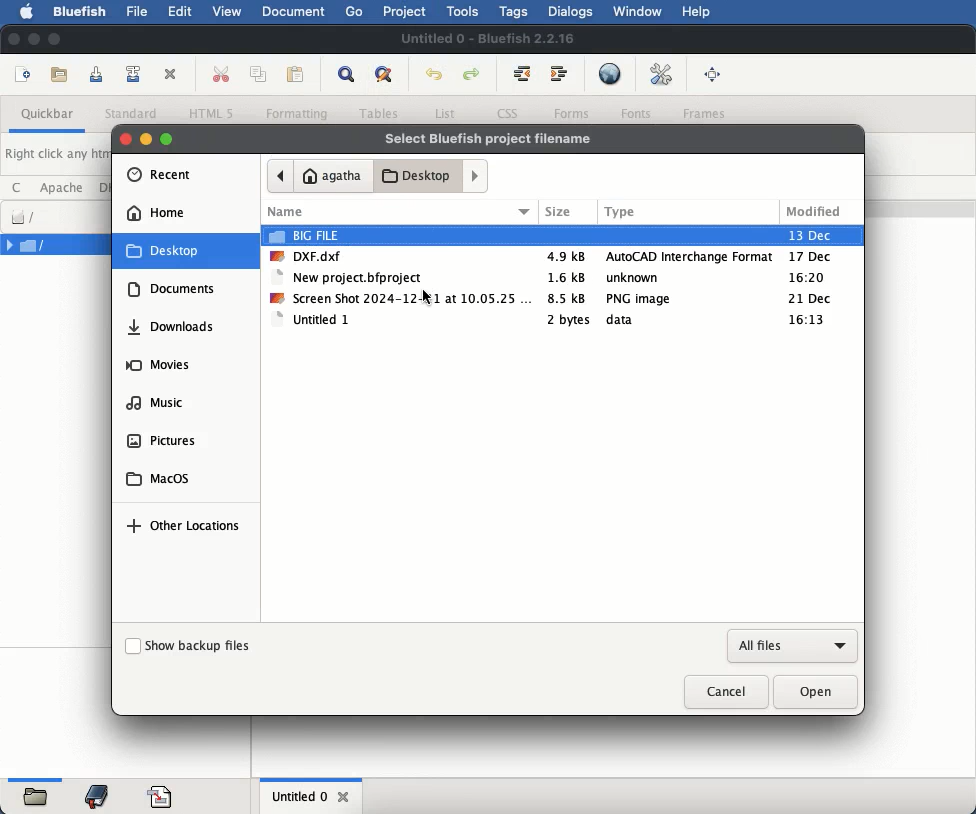  What do you see at coordinates (347, 76) in the screenshot?
I see `show find bar` at bounding box center [347, 76].